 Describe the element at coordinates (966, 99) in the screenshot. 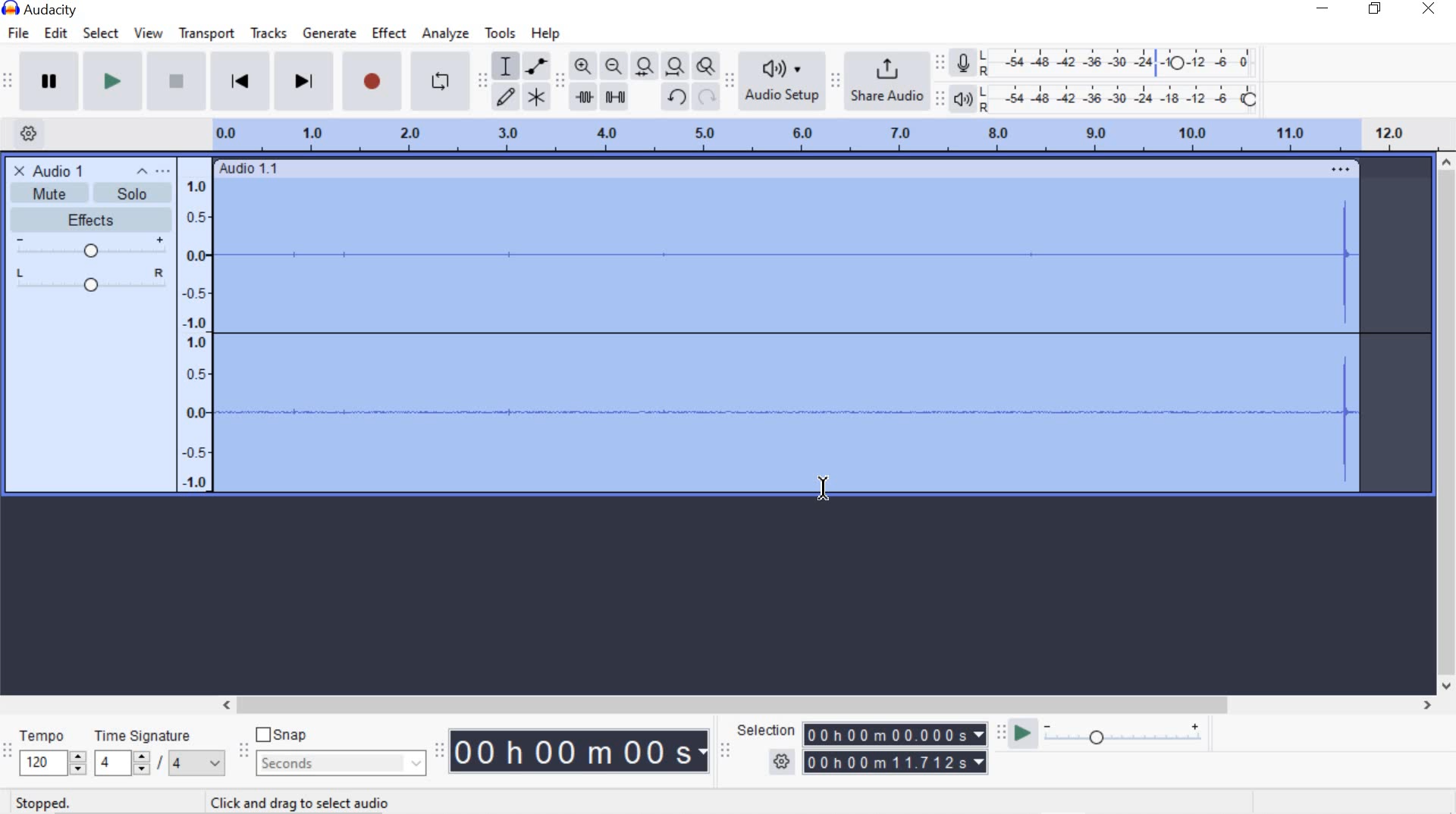

I see `Playback meter` at that location.